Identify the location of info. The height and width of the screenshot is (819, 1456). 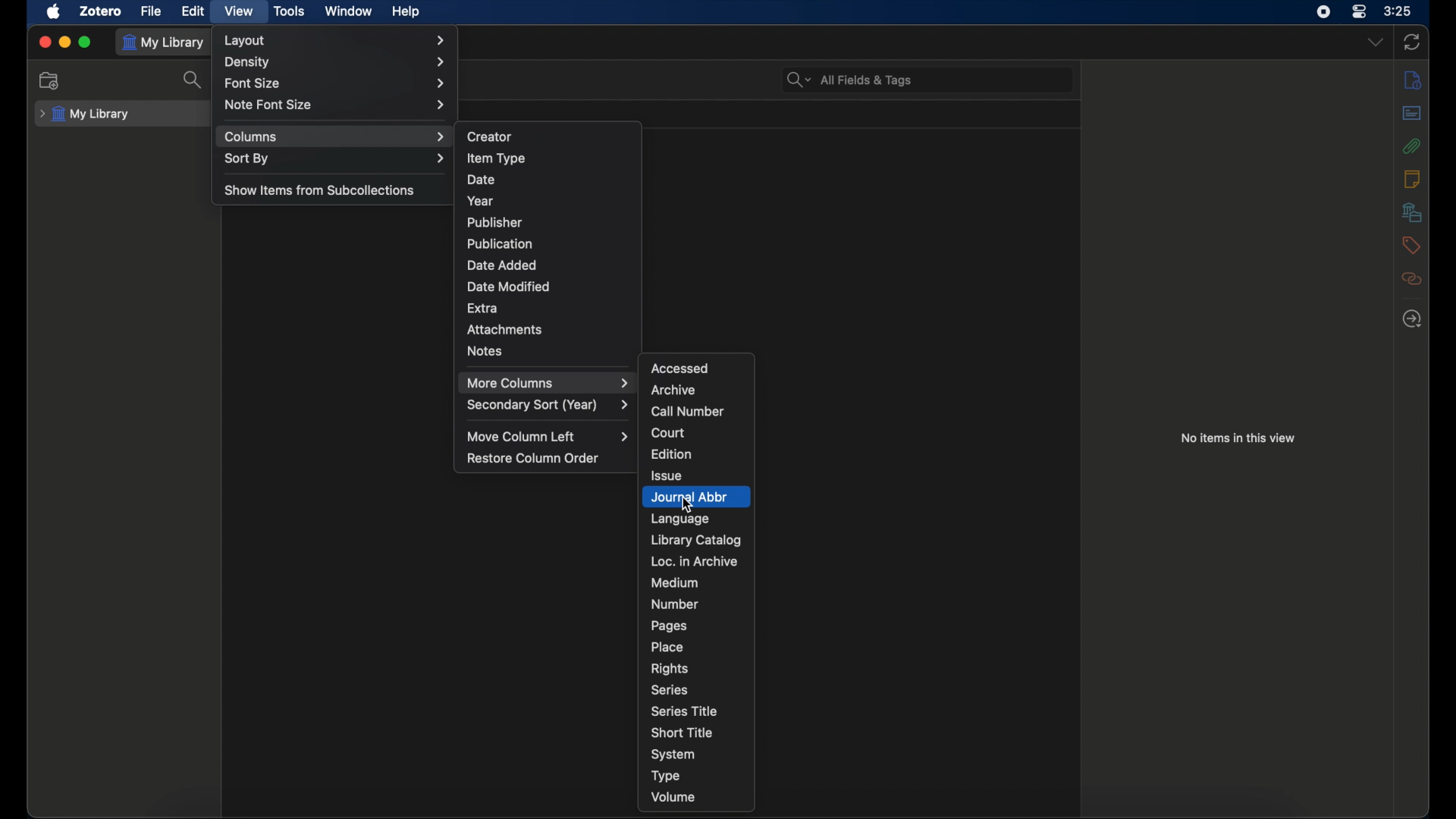
(1411, 80).